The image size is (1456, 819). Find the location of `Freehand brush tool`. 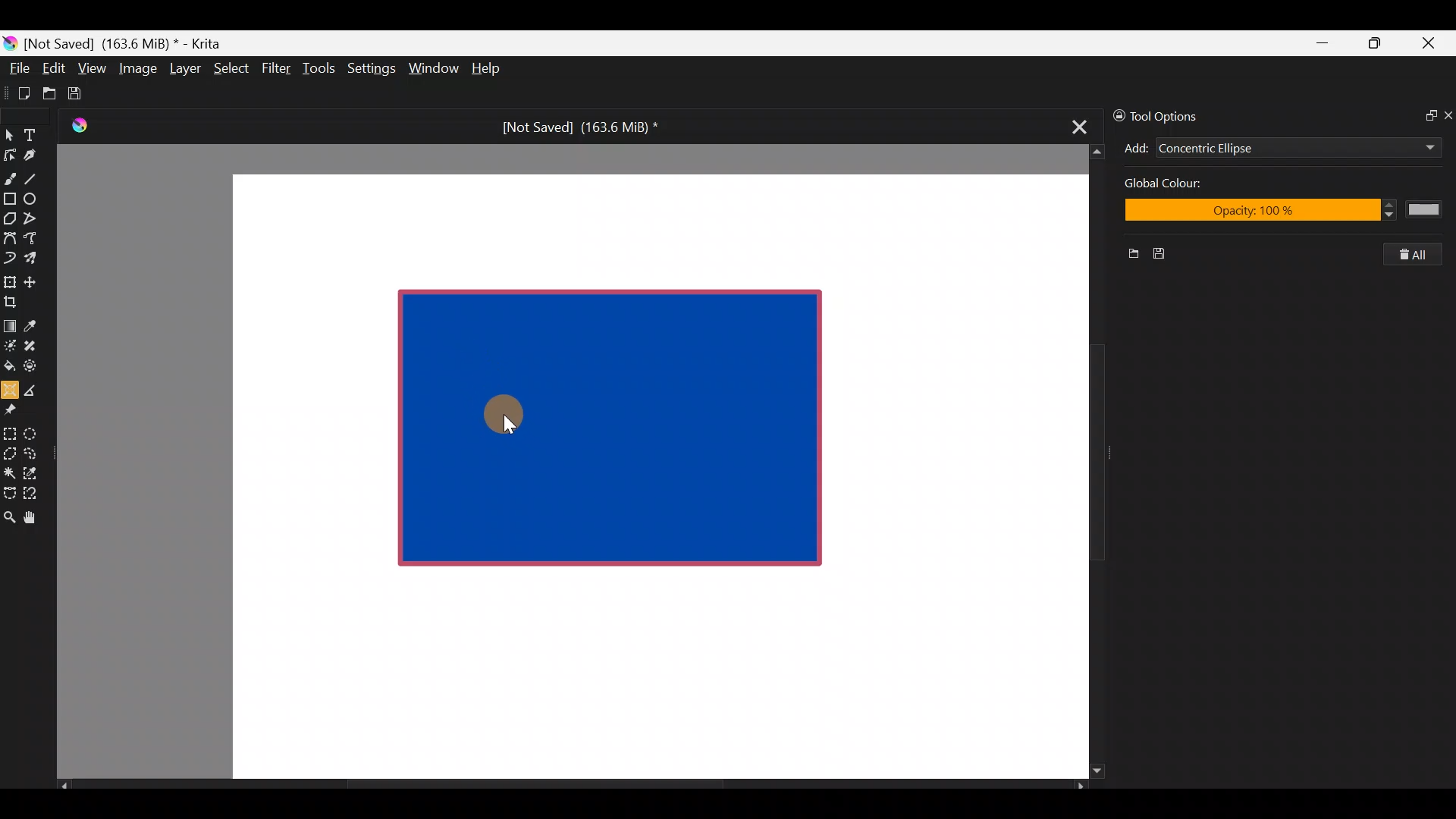

Freehand brush tool is located at coordinates (10, 173).